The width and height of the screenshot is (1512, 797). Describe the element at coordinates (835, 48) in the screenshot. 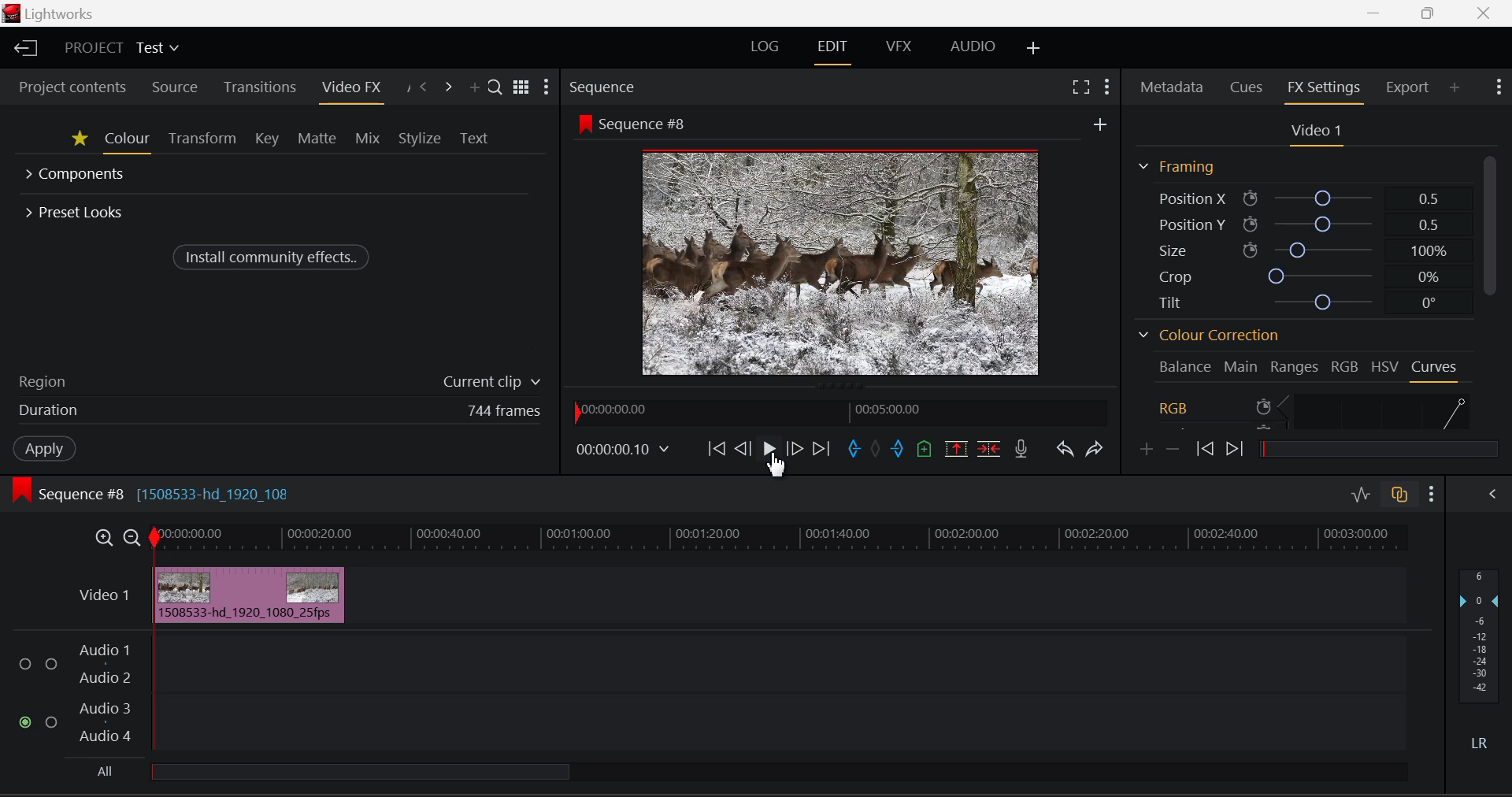

I see `EDIT Layout Open` at that location.